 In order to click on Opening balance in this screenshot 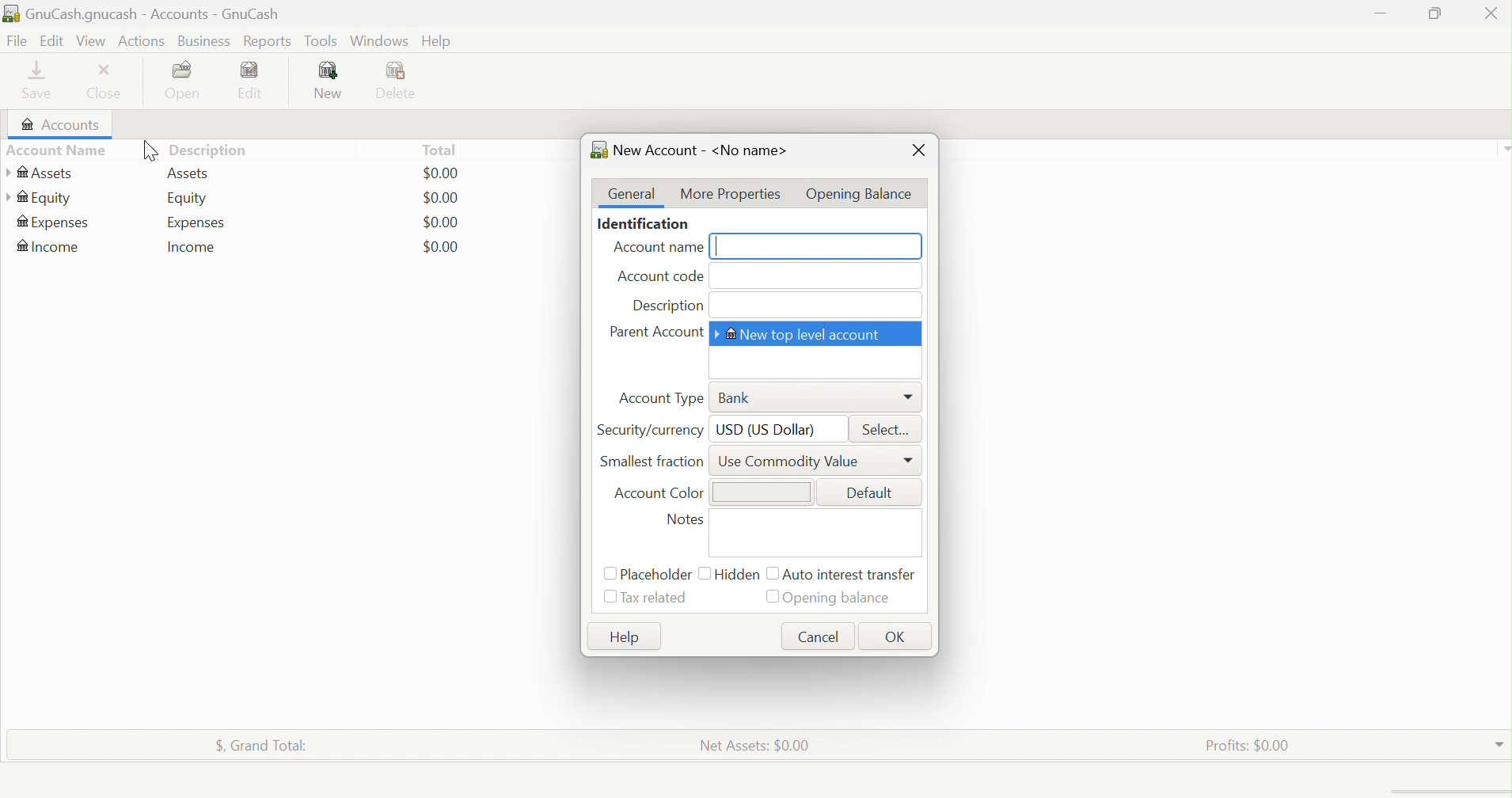, I will do `click(841, 599)`.